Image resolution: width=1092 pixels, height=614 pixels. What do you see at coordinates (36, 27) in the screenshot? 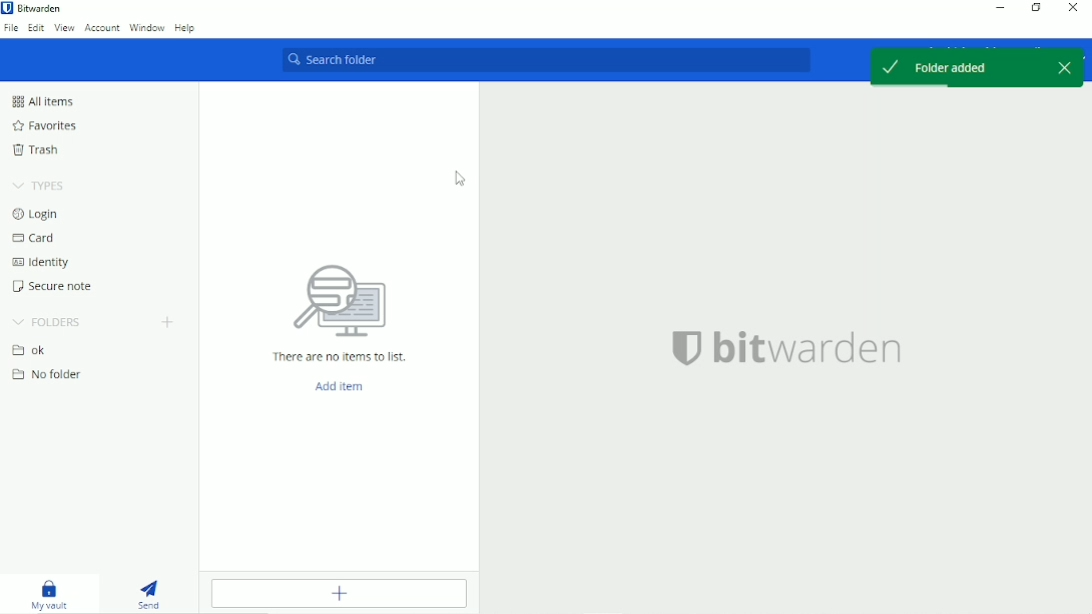
I see `Edit` at bounding box center [36, 27].